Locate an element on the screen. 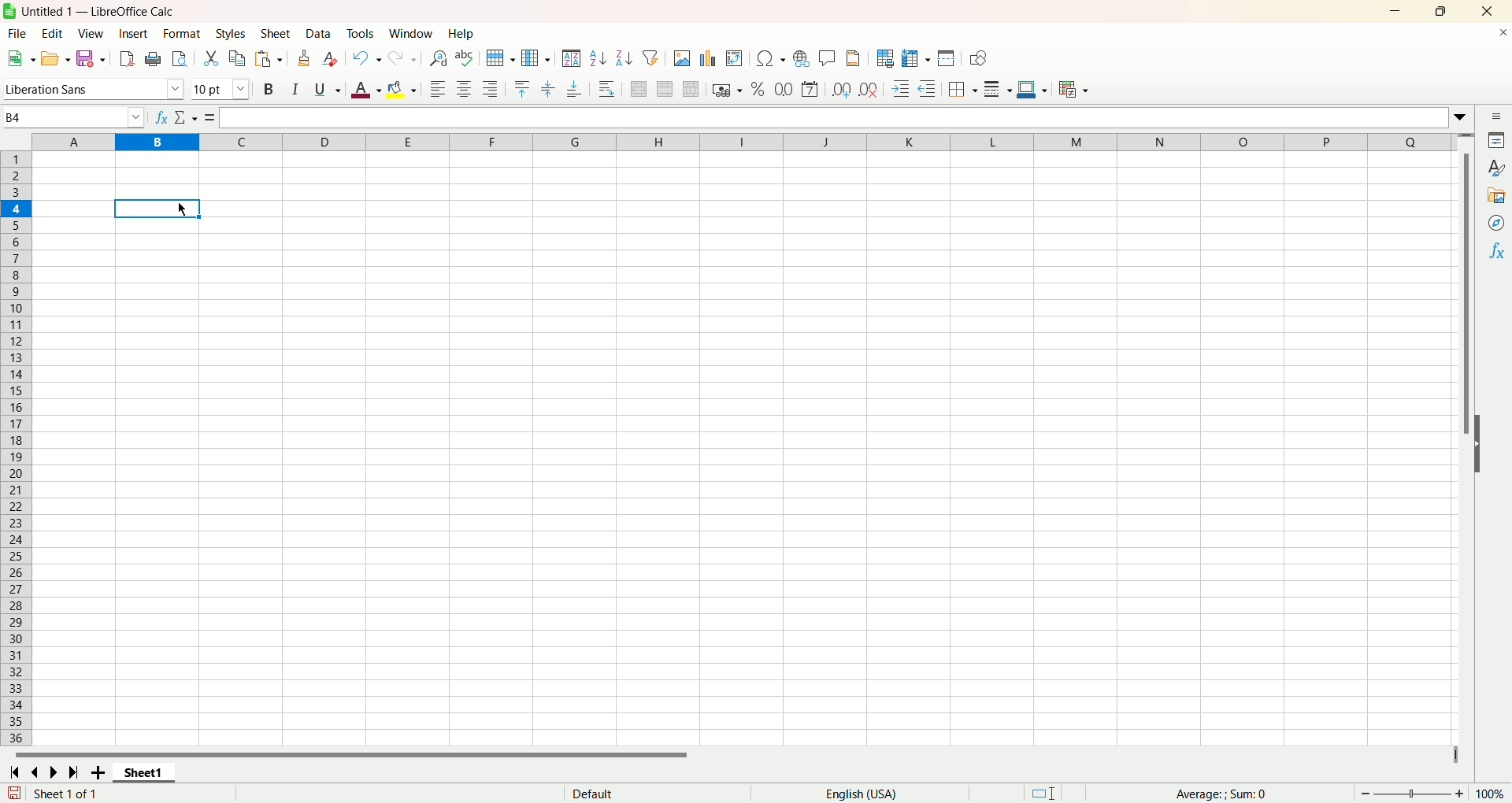 Image resolution: width=1512 pixels, height=803 pixels. Input line is located at coordinates (833, 117).